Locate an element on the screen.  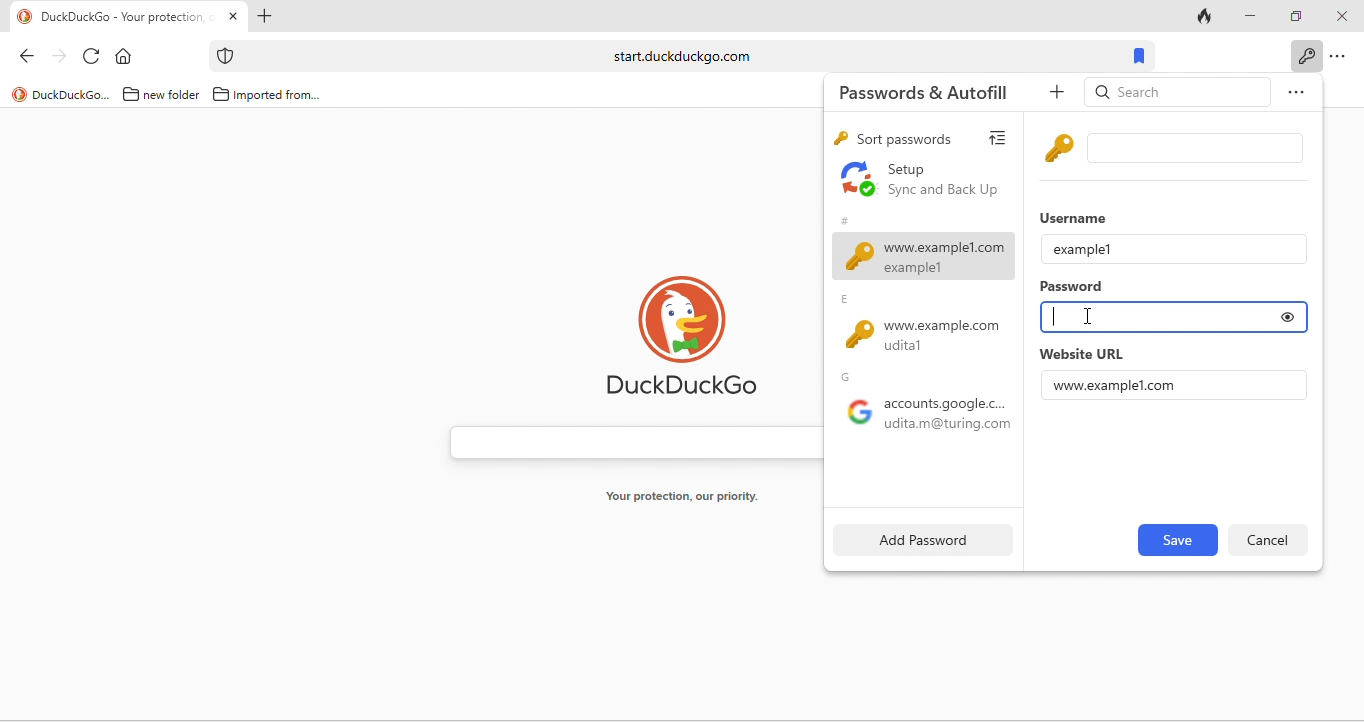
username is located at coordinates (1078, 216).